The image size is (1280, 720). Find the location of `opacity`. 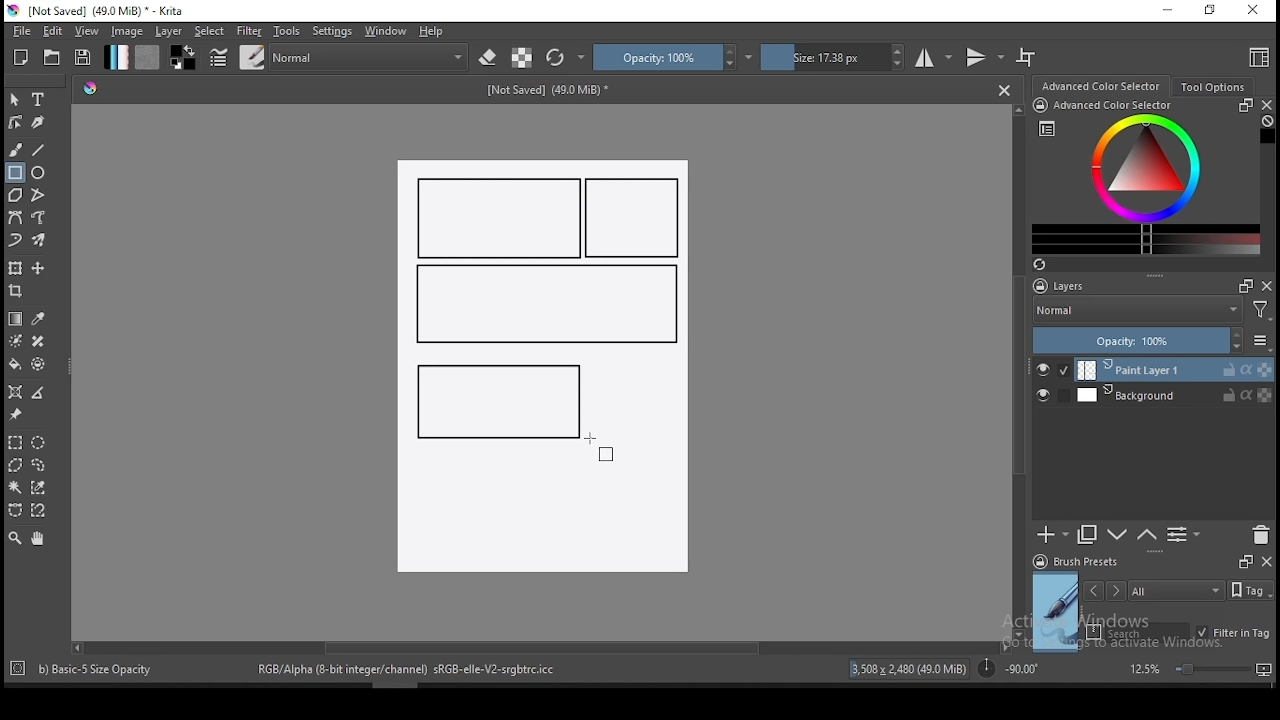

opacity is located at coordinates (673, 57).